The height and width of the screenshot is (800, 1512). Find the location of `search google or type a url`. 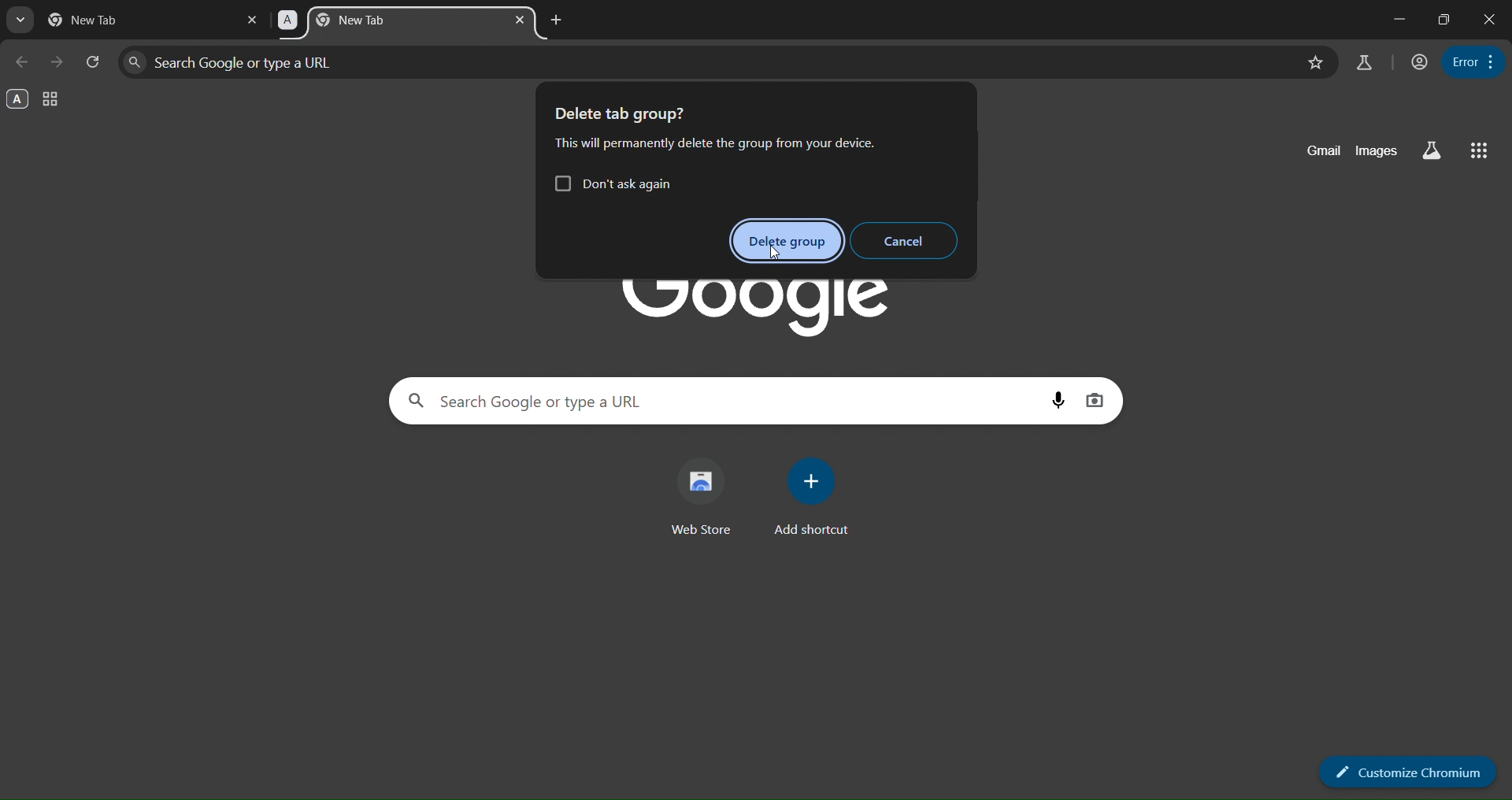

search google or type a url is located at coordinates (299, 61).